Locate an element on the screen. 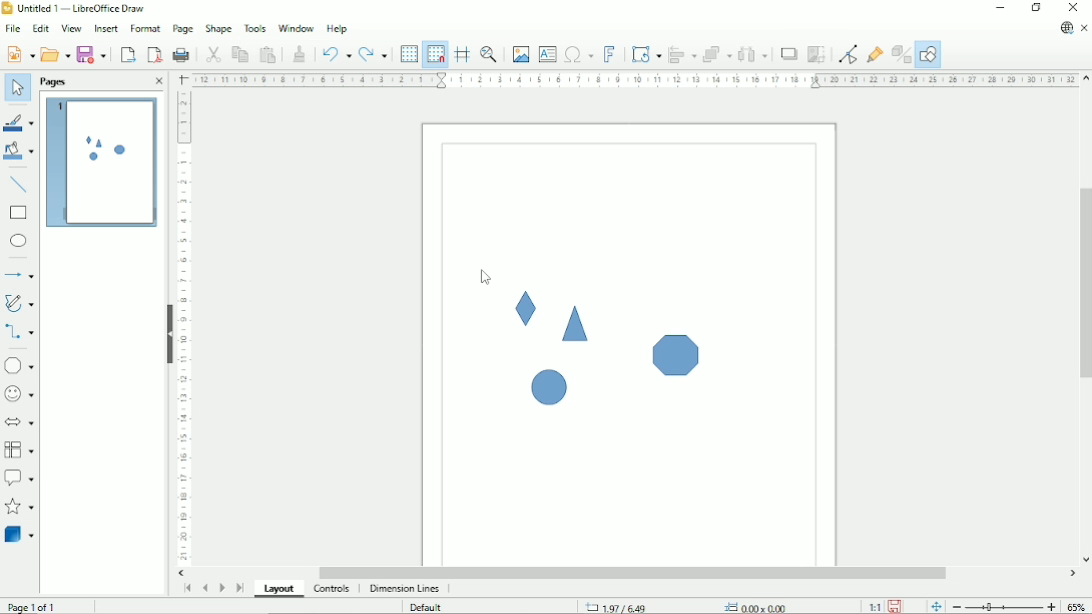 The height and width of the screenshot is (614, 1092). Edit is located at coordinates (40, 29).